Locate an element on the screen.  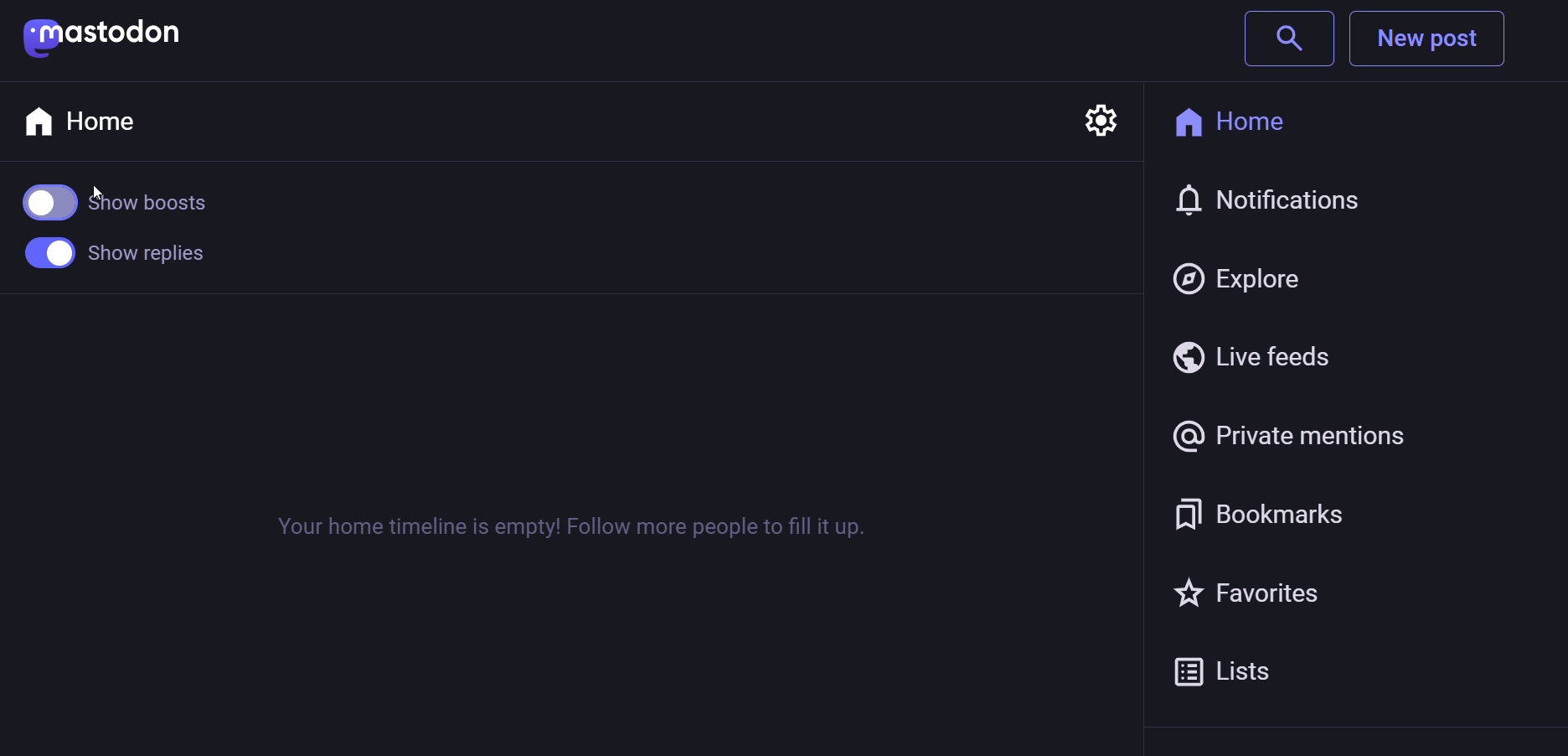
Explore is located at coordinates (1240, 282).